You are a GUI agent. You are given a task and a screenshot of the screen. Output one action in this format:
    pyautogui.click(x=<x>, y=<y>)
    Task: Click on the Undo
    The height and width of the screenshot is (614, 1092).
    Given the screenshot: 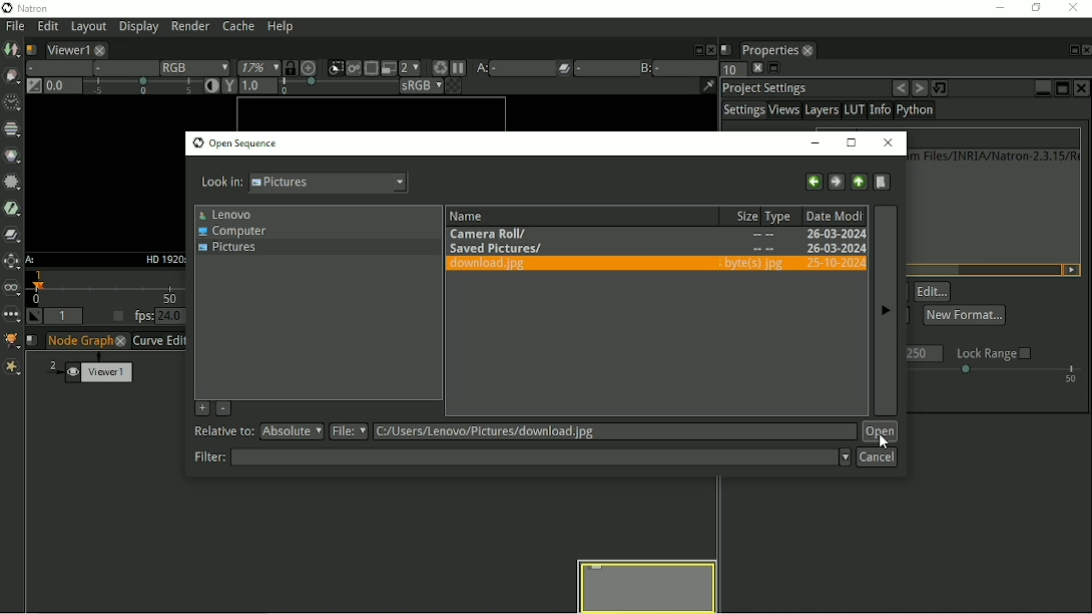 What is the action you would take?
    pyautogui.click(x=900, y=88)
    